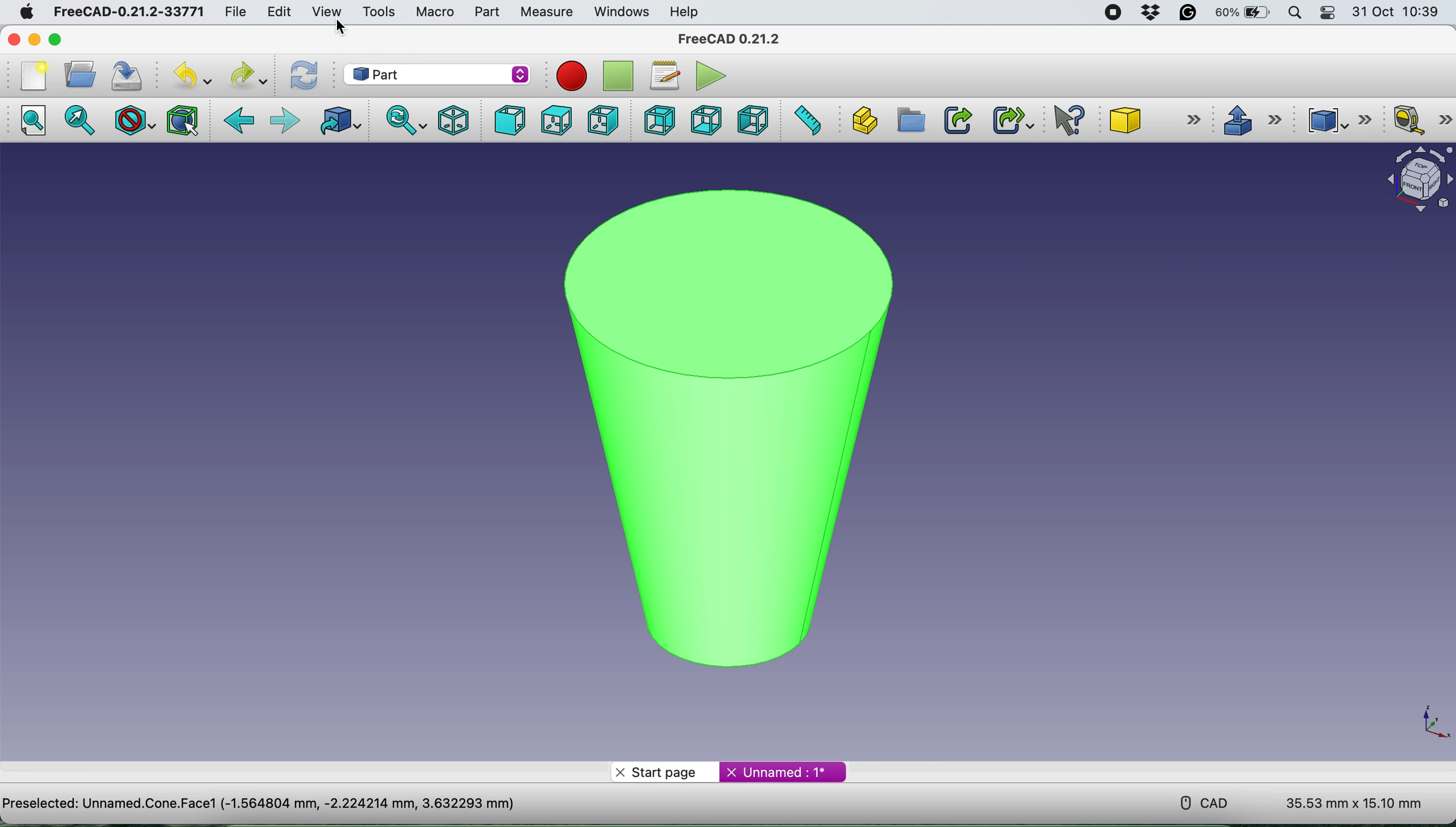 Image resolution: width=1456 pixels, height=827 pixels. What do you see at coordinates (726, 39) in the screenshot?
I see `freecad 0.21.2` at bounding box center [726, 39].